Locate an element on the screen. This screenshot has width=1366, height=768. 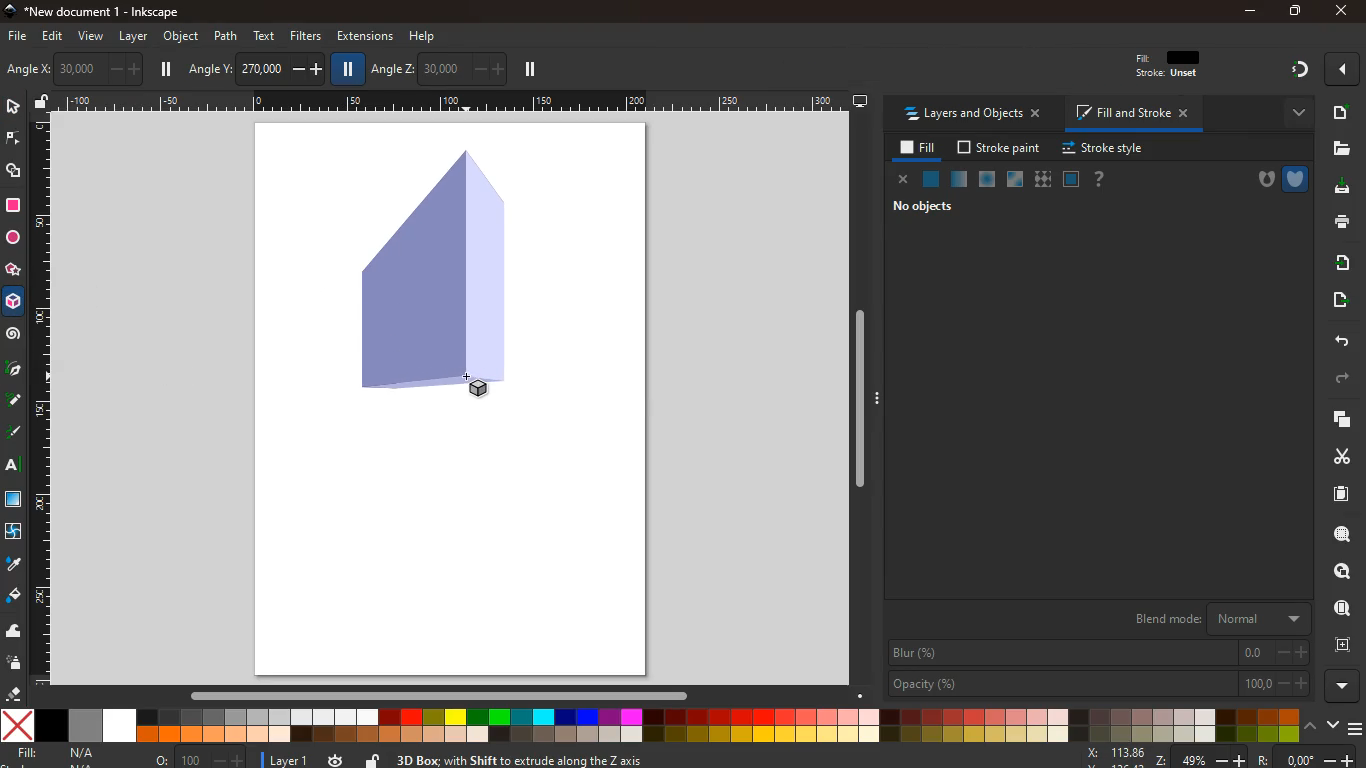
Expand is located at coordinates (879, 397).